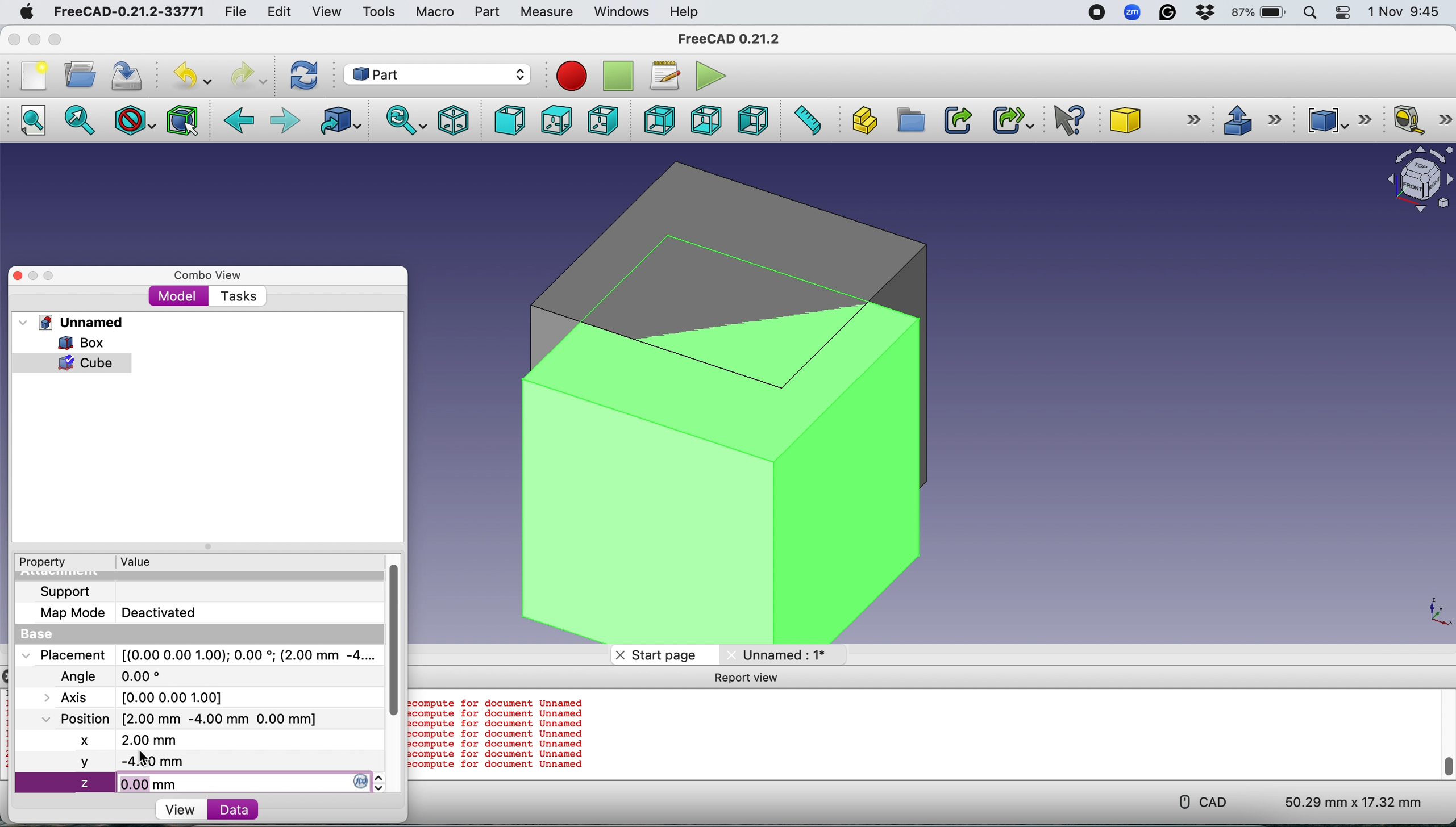  Describe the element at coordinates (184, 119) in the screenshot. I see `Bounding box` at that location.